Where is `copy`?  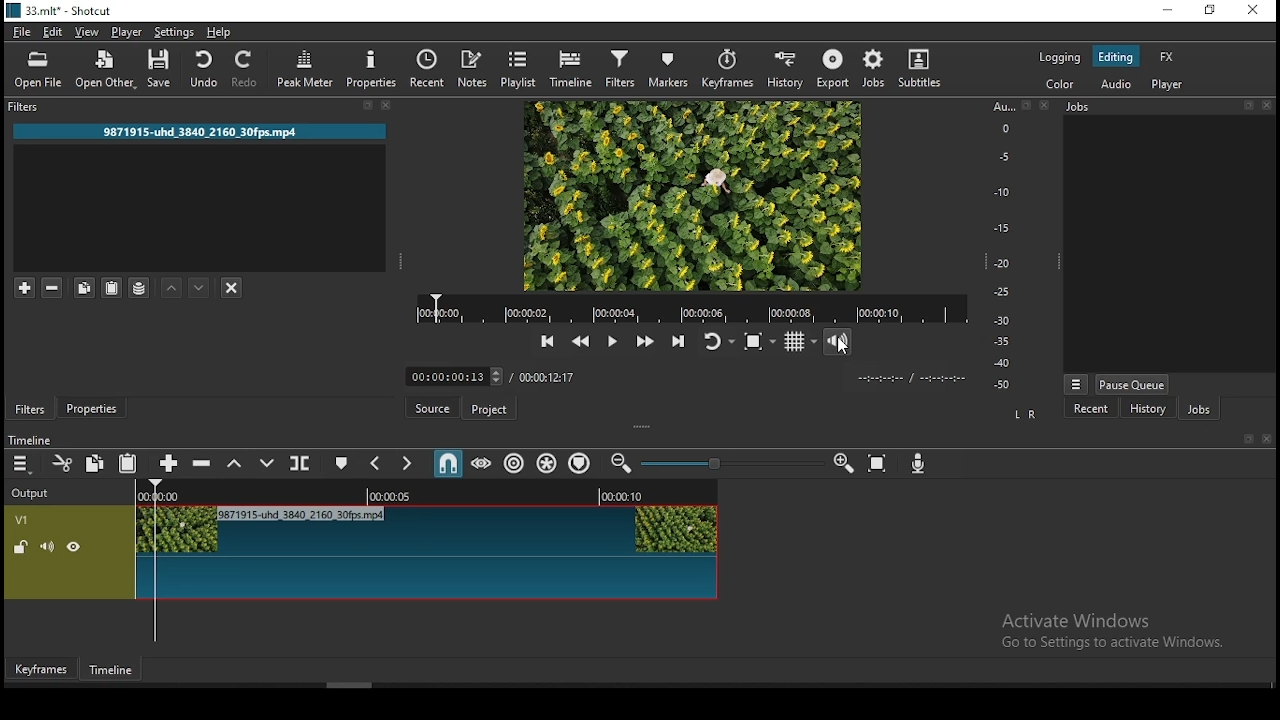 copy is located at coordinates (97, 464).